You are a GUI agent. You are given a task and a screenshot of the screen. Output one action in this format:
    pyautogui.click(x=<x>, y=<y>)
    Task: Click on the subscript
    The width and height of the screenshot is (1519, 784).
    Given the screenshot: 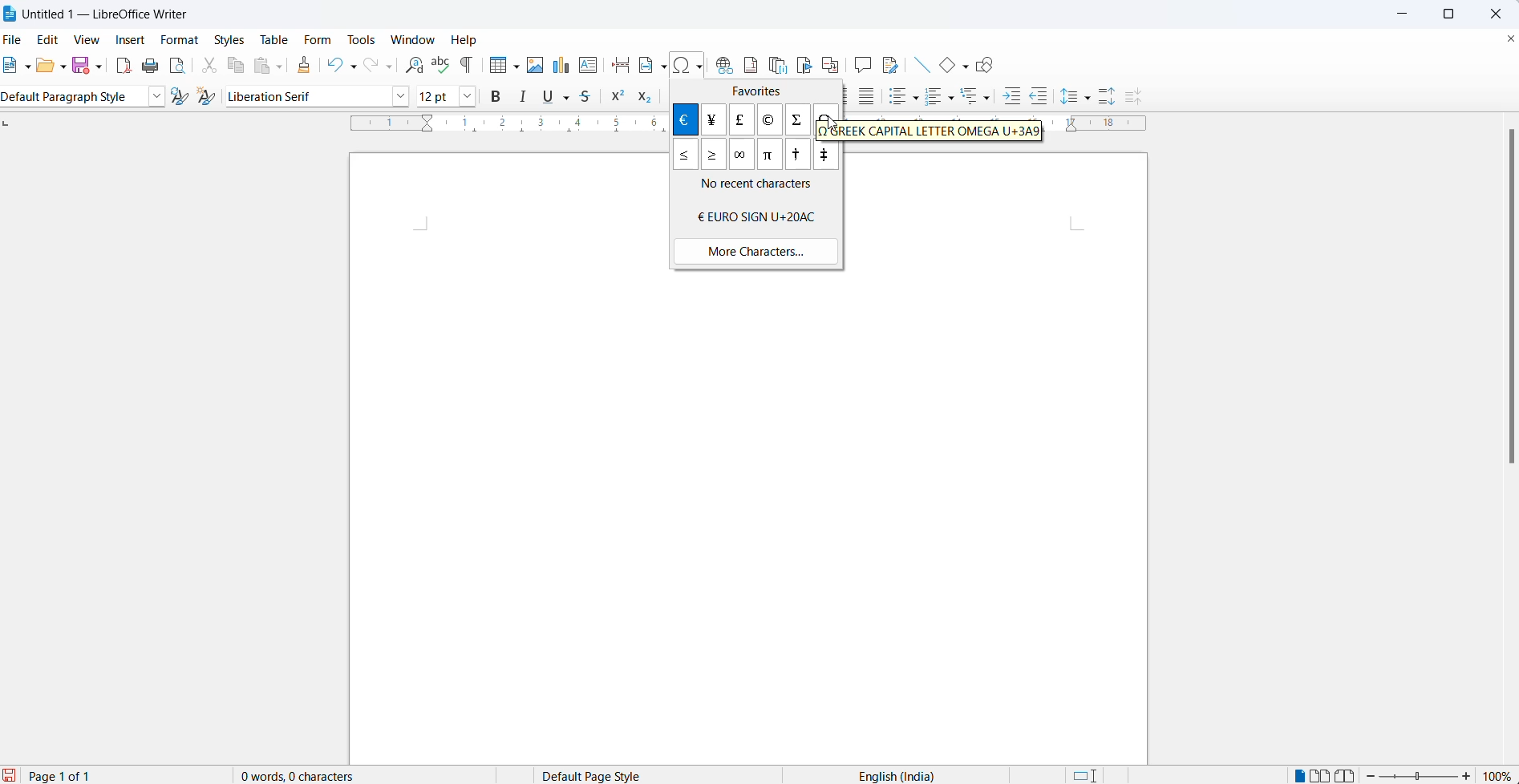 What is the action you would take?
    pyautogui.click(x=646, y=98)
    